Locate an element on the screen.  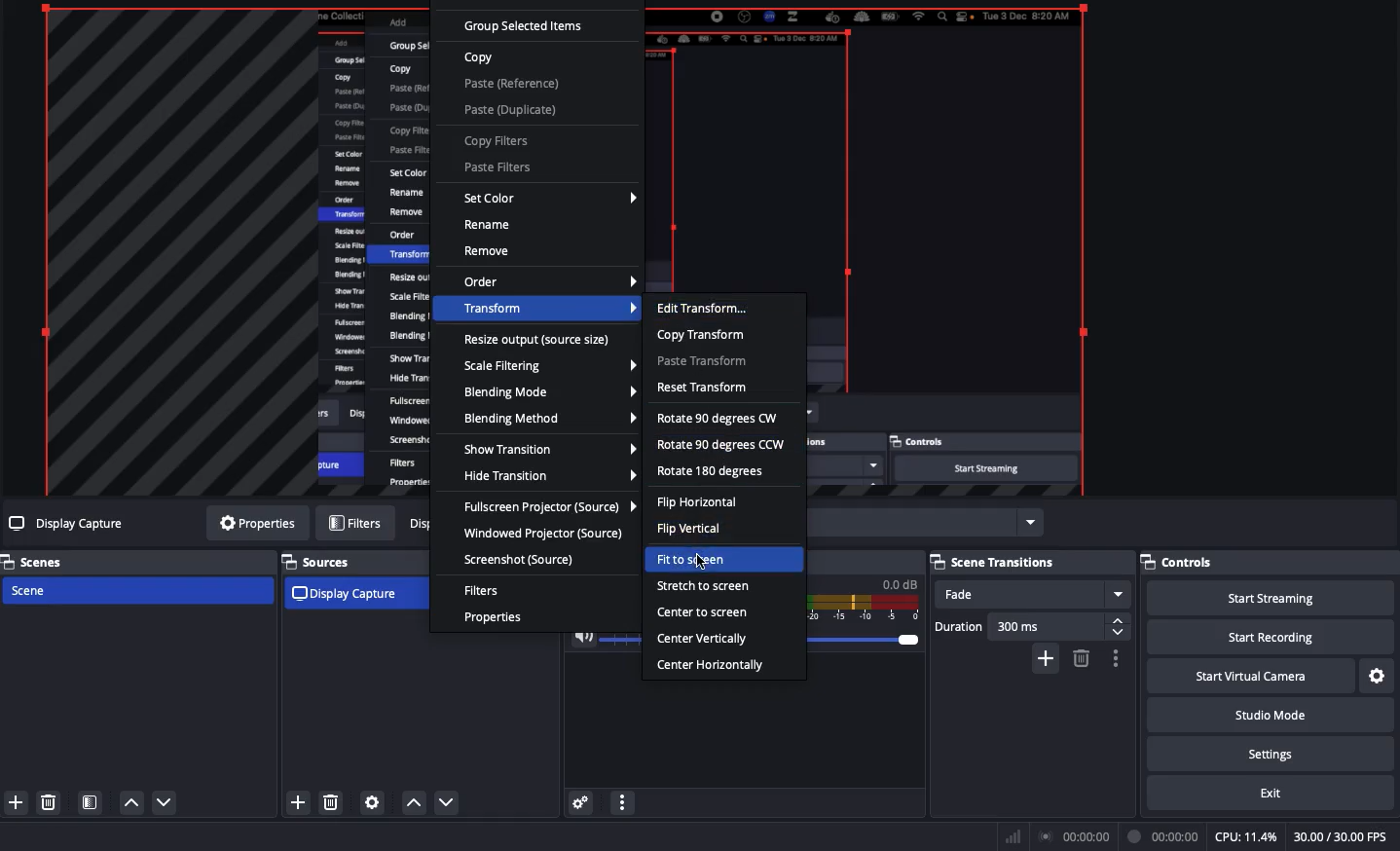
Click is located at coordinates (699, 561).